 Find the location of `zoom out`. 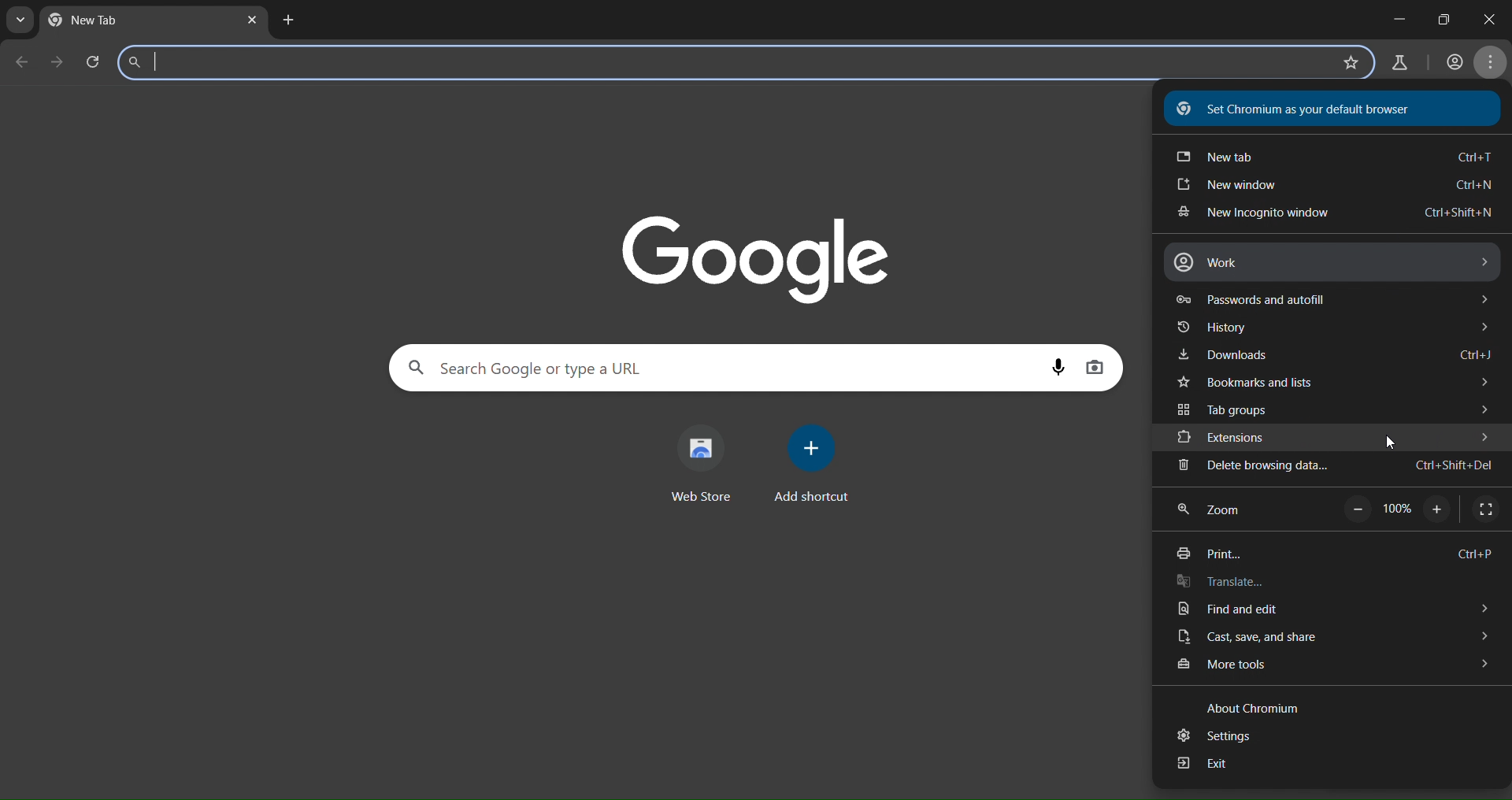

zoom out is located at coordinates (1357, 507).